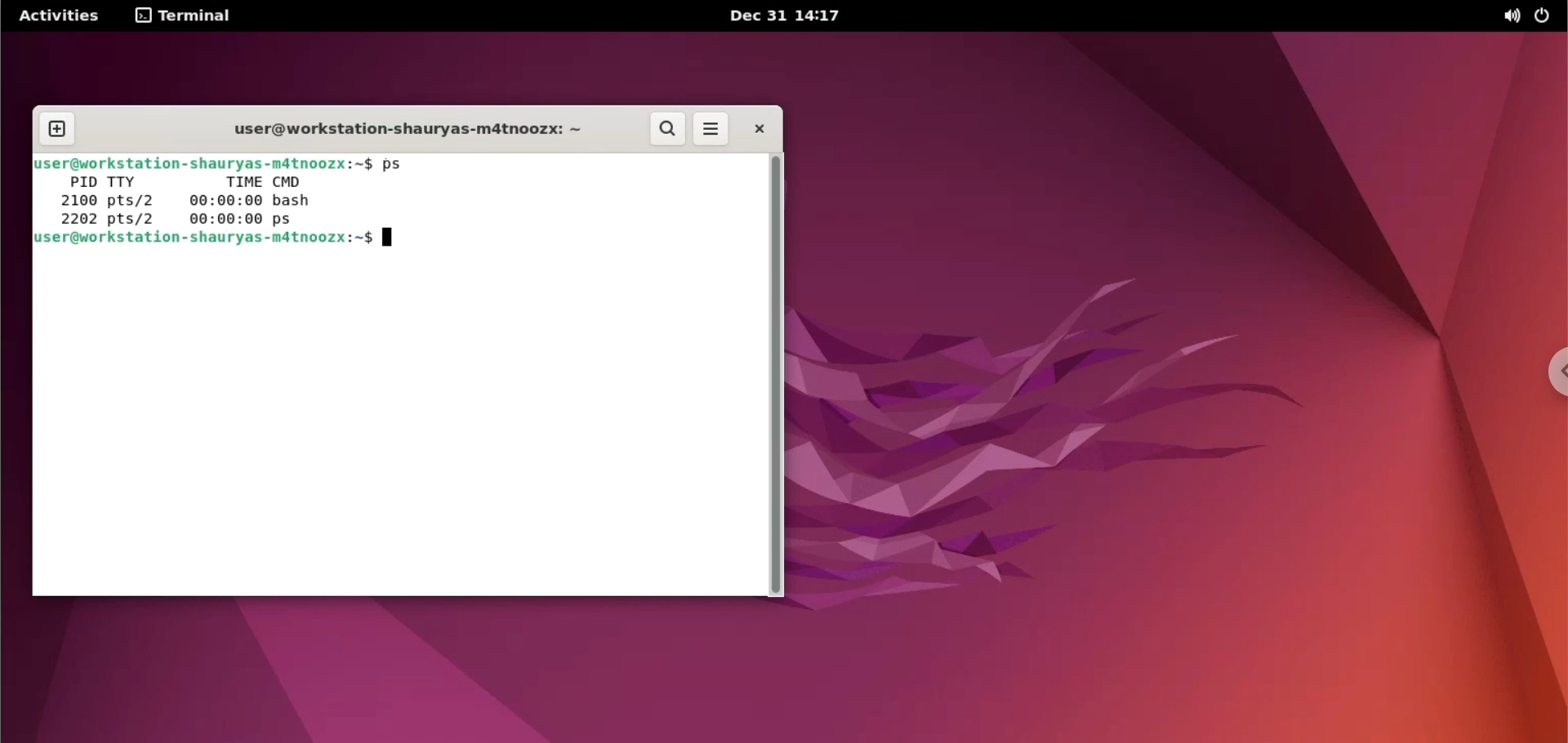 Image resolution: width=1568 pixels, height=743 pixels. Describe the element at coordinates (773, 376) in the screenshot. I see `scrollbar` at that location.